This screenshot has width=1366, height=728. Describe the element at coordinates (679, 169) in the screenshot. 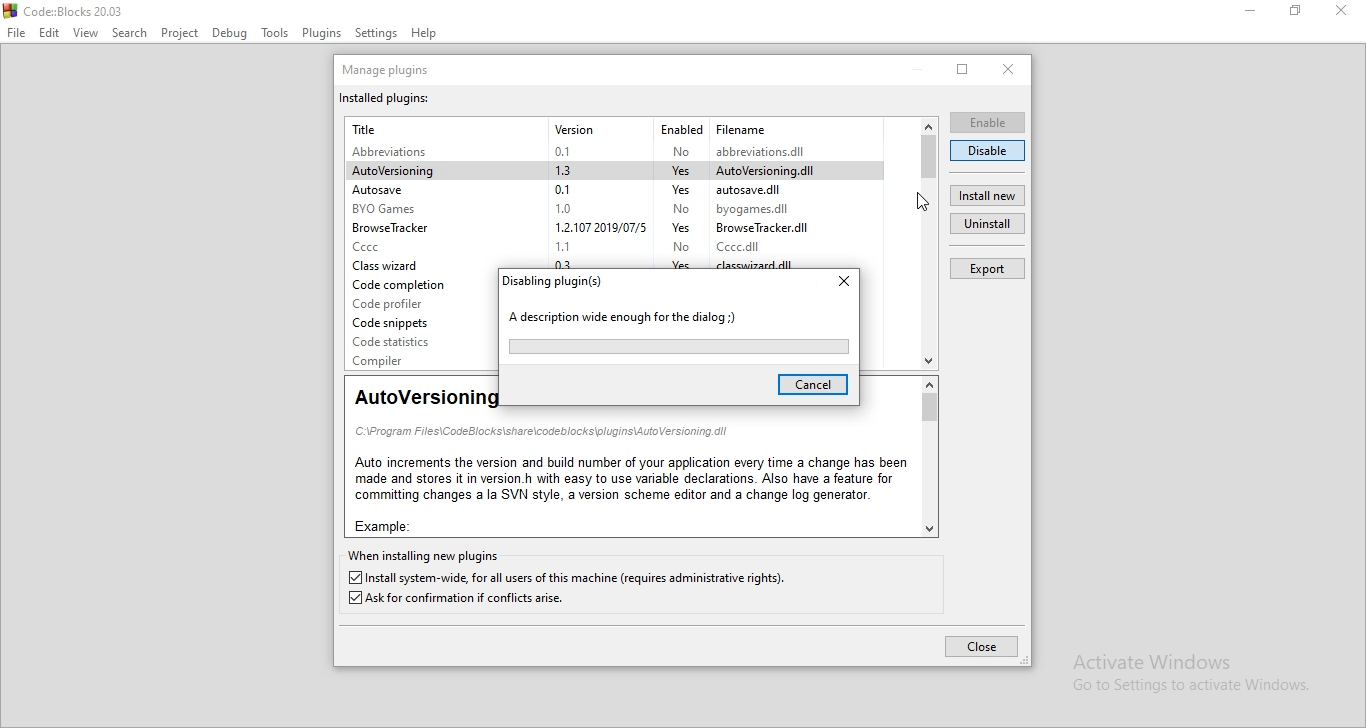

I see `yes` at that location.